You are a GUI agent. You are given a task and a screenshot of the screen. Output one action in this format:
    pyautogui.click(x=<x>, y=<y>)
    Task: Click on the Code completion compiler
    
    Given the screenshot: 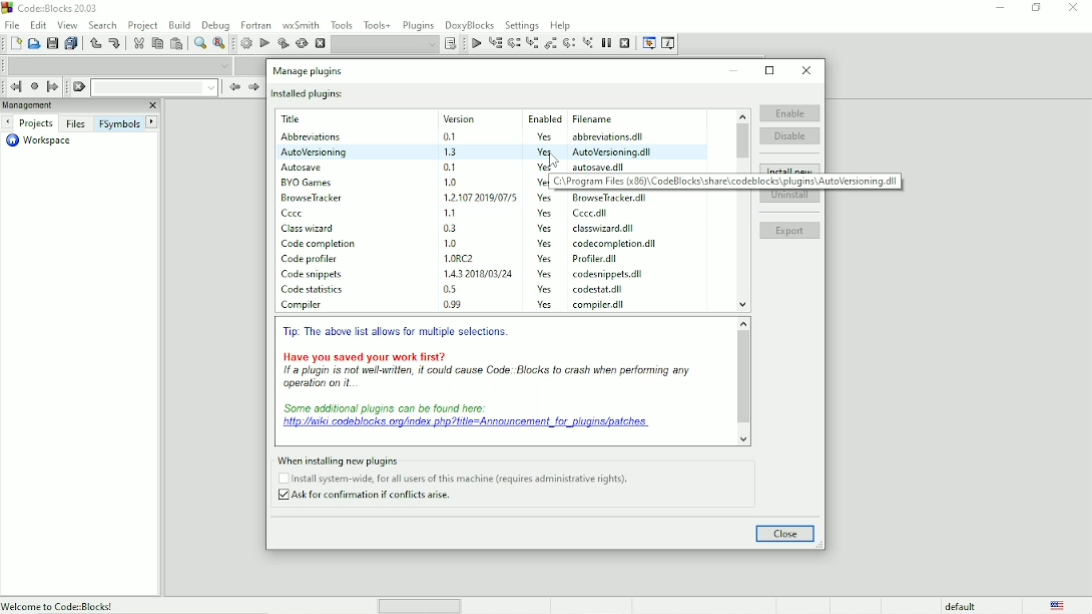 What is the action you would take?
    pyautogui.click(x=120, y=65)
    